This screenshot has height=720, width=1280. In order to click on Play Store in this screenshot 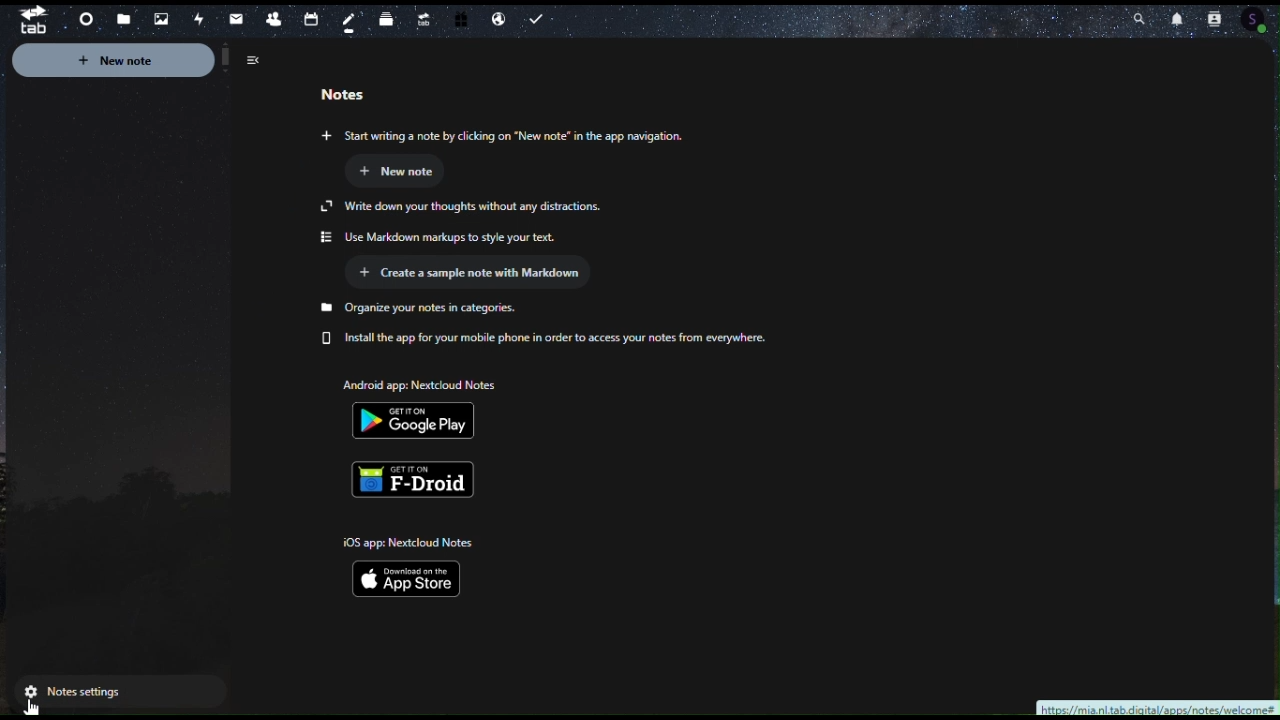, I will do `click(421, 403)`.